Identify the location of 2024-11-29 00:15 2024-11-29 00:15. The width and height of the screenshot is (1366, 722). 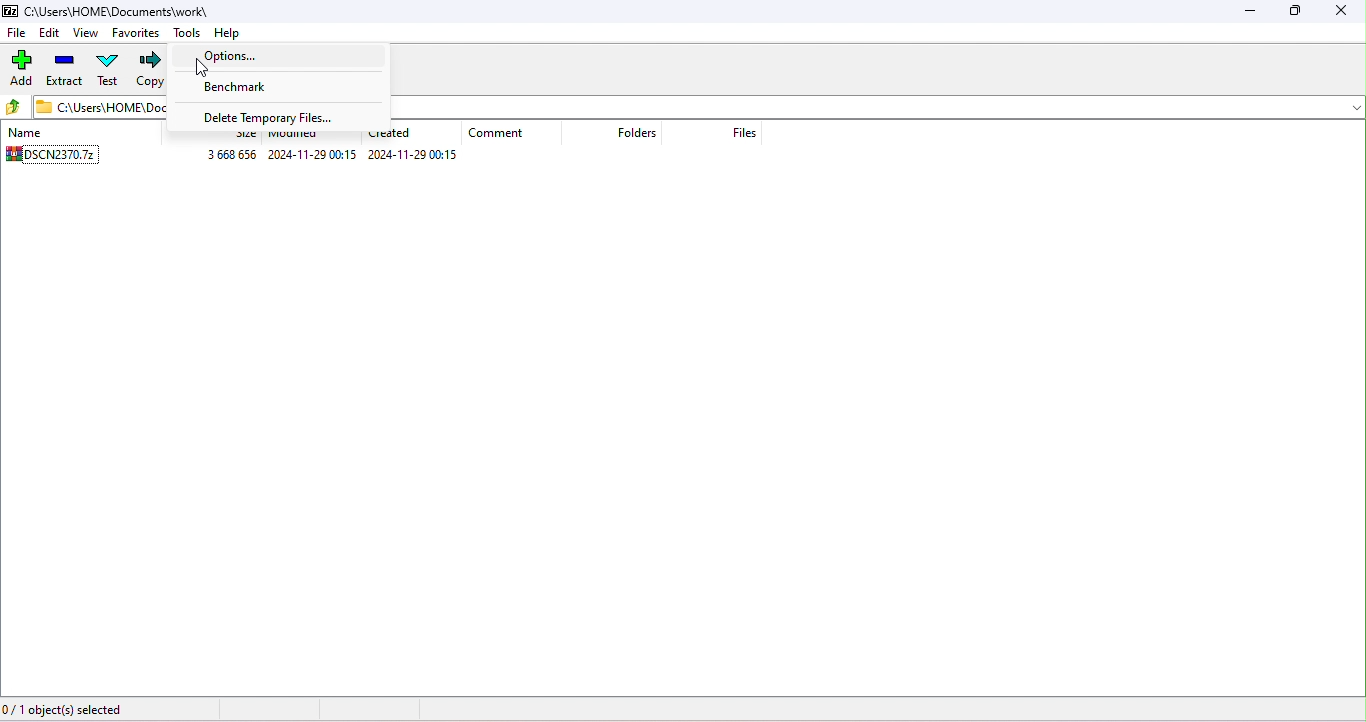
(367, 158).